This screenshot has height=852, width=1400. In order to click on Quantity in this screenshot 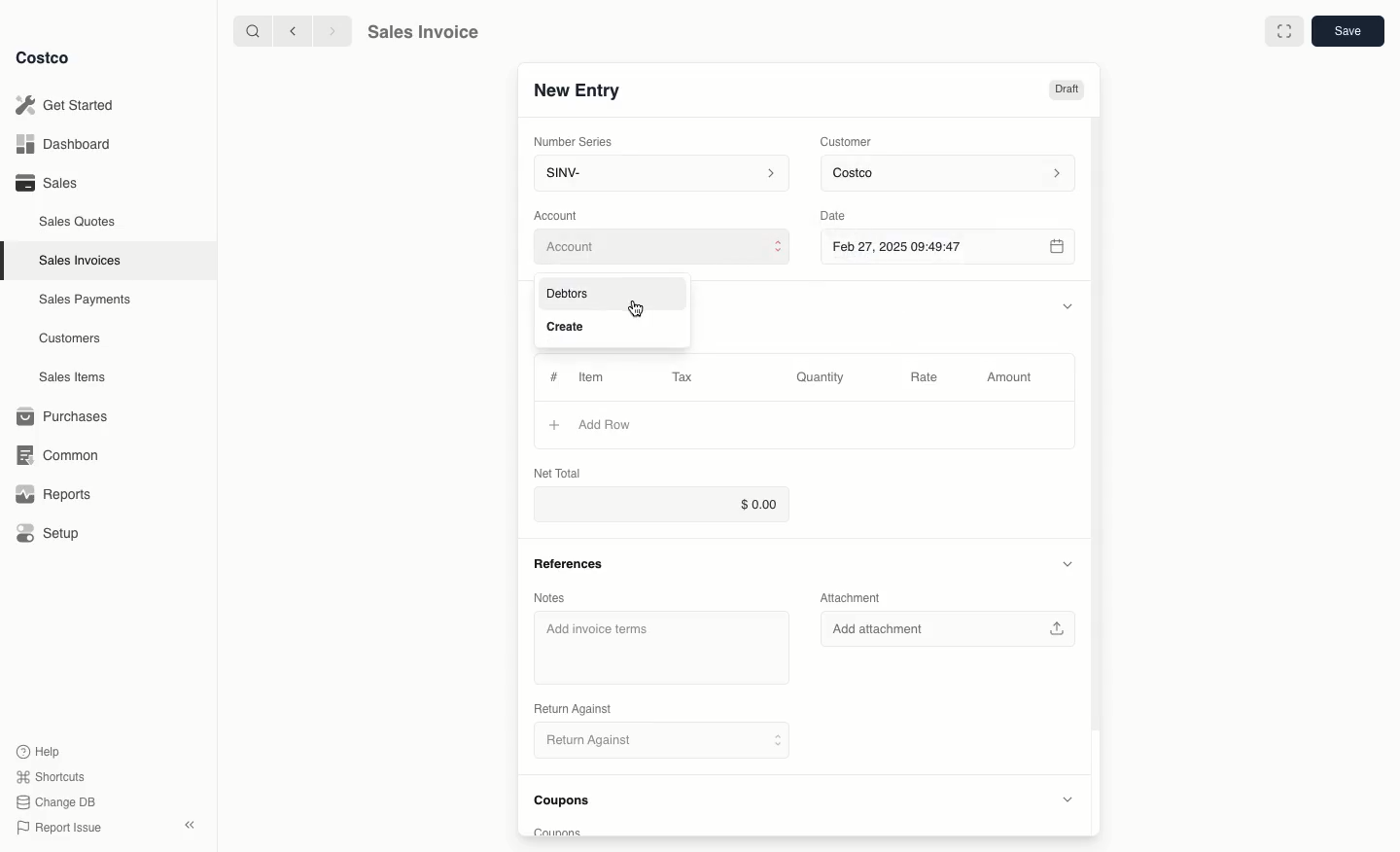, I will do `click(822, 377)`.